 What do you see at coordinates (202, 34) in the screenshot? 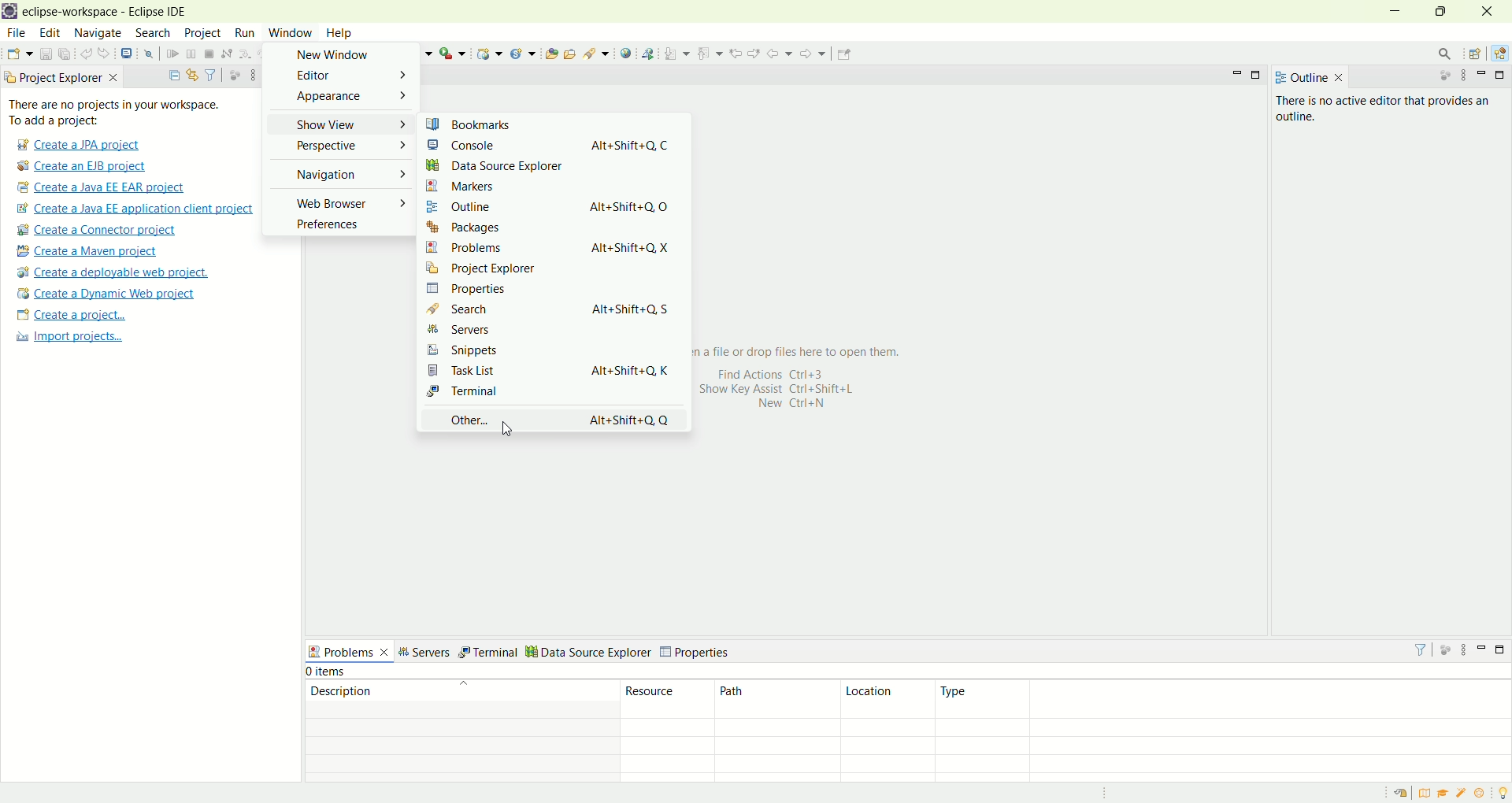
I see `project` at bounding box center [202, 34].